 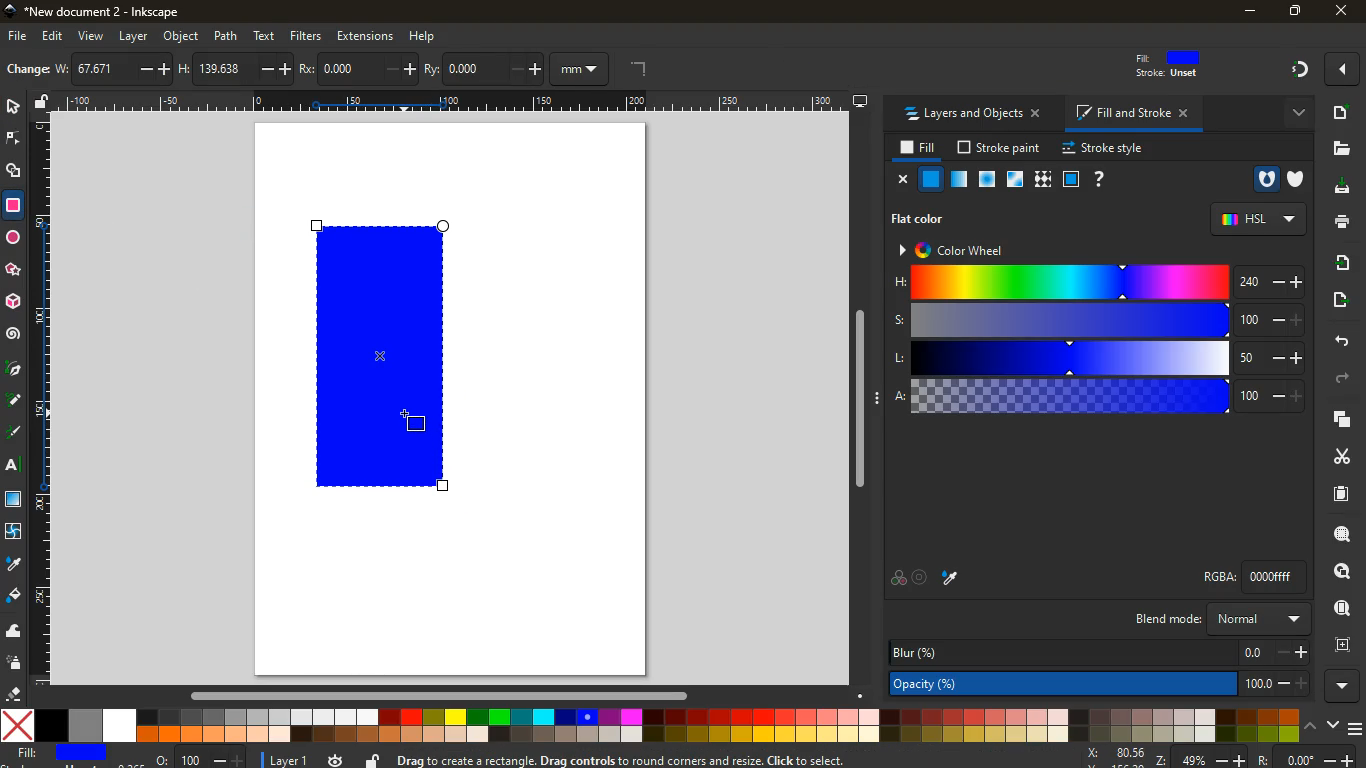 I want to click on forward, so click(x=1340, y=378).